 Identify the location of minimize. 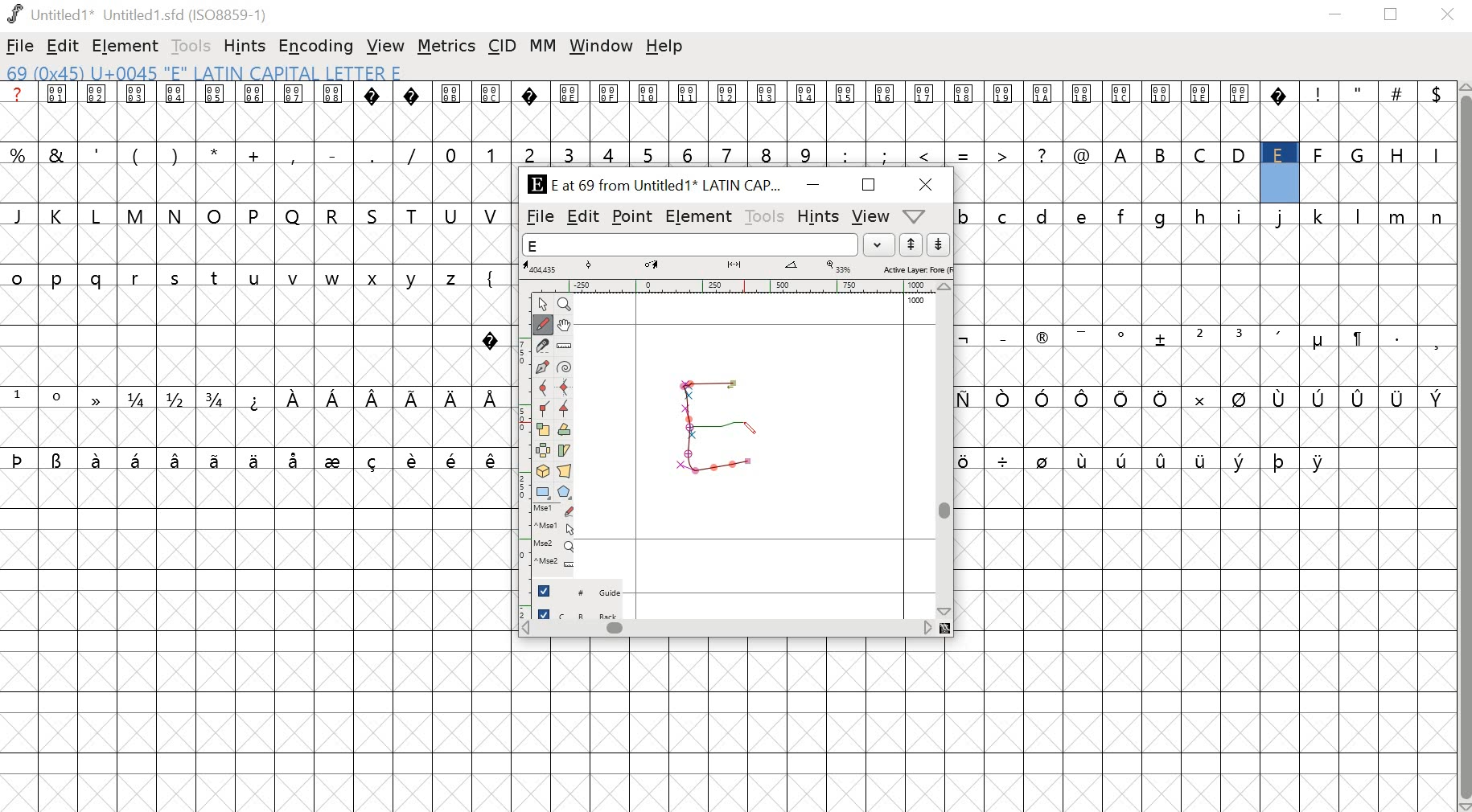
(1336, 17).